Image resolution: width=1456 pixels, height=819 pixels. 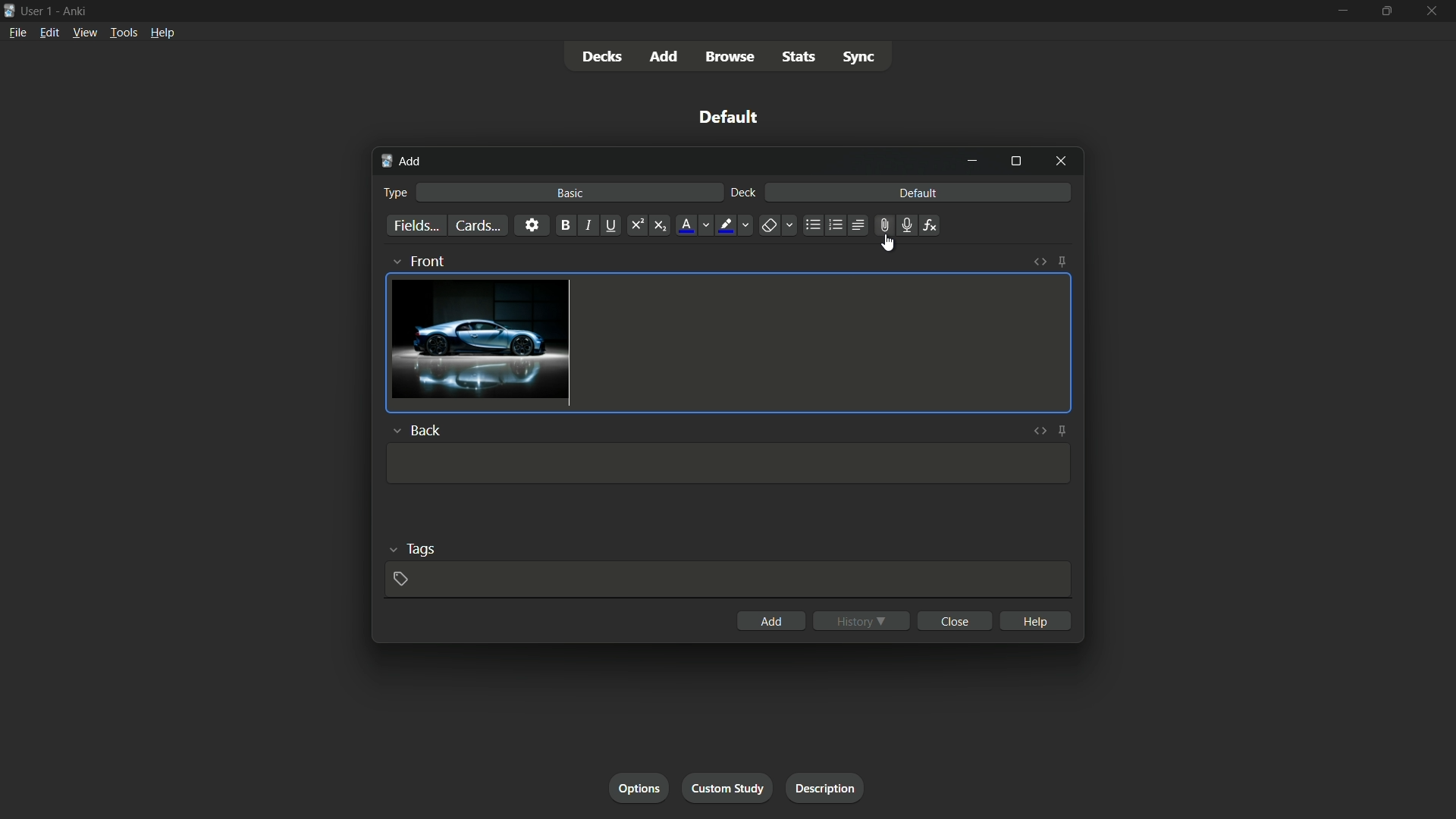 What do you see at coordinates (861, 58) in the screenshot?
I see `sync` at bounding box center [861, 58].